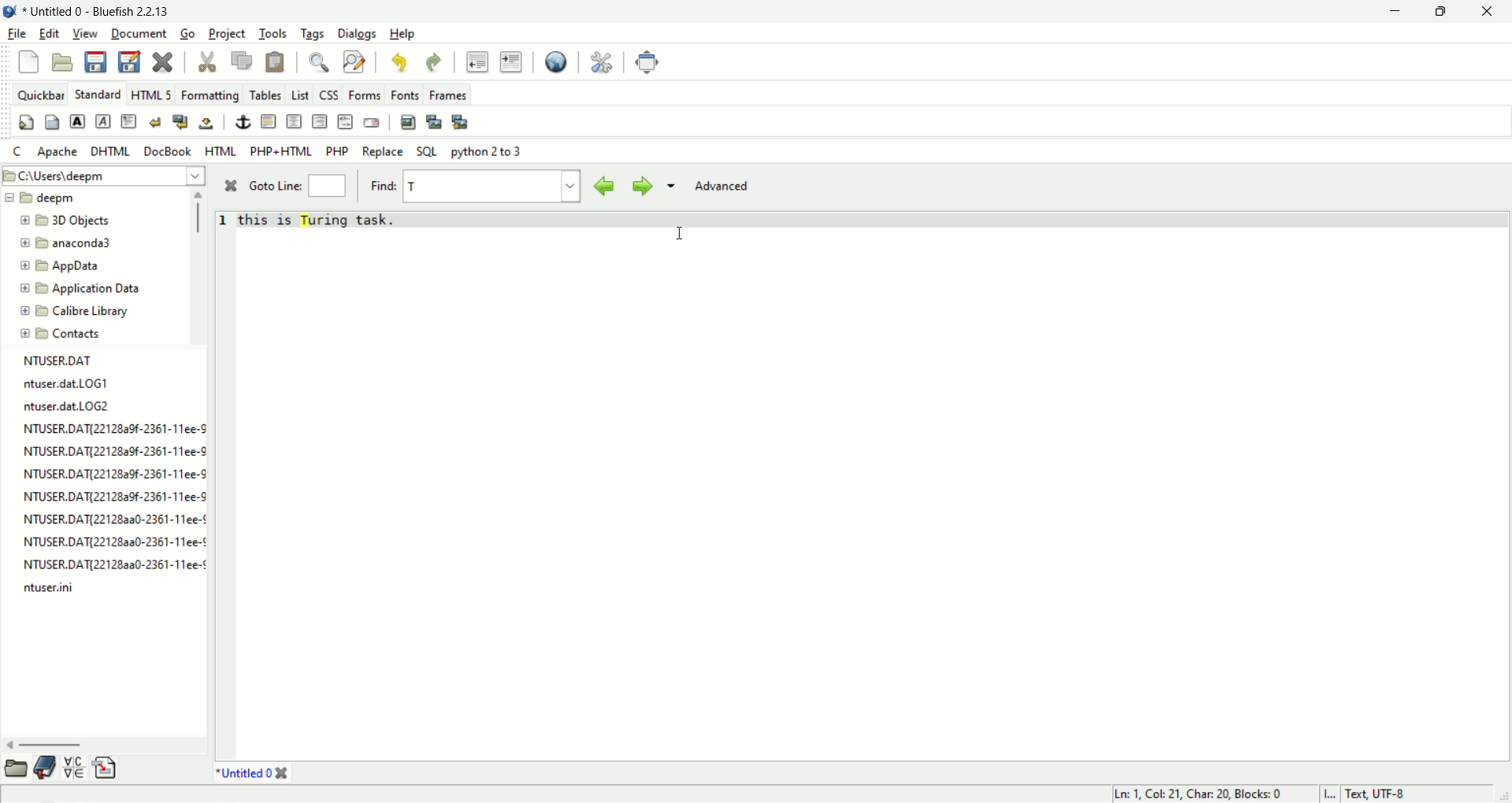  What do you see at coordinates (511, 62) in the screenshot?
I see `indent` at bounding box center [511, 62].